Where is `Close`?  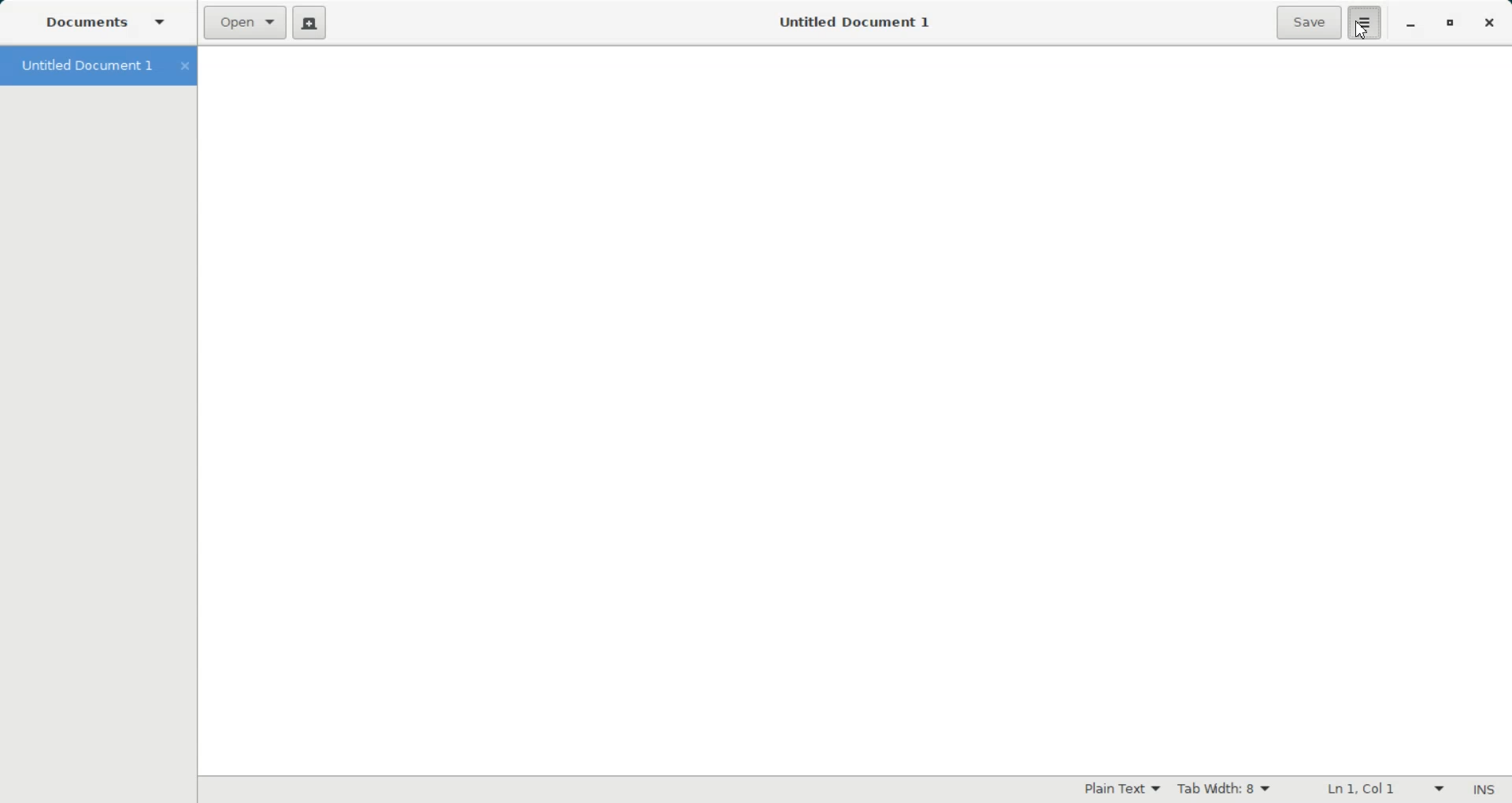 Close is located at coordinates (1488, 24).